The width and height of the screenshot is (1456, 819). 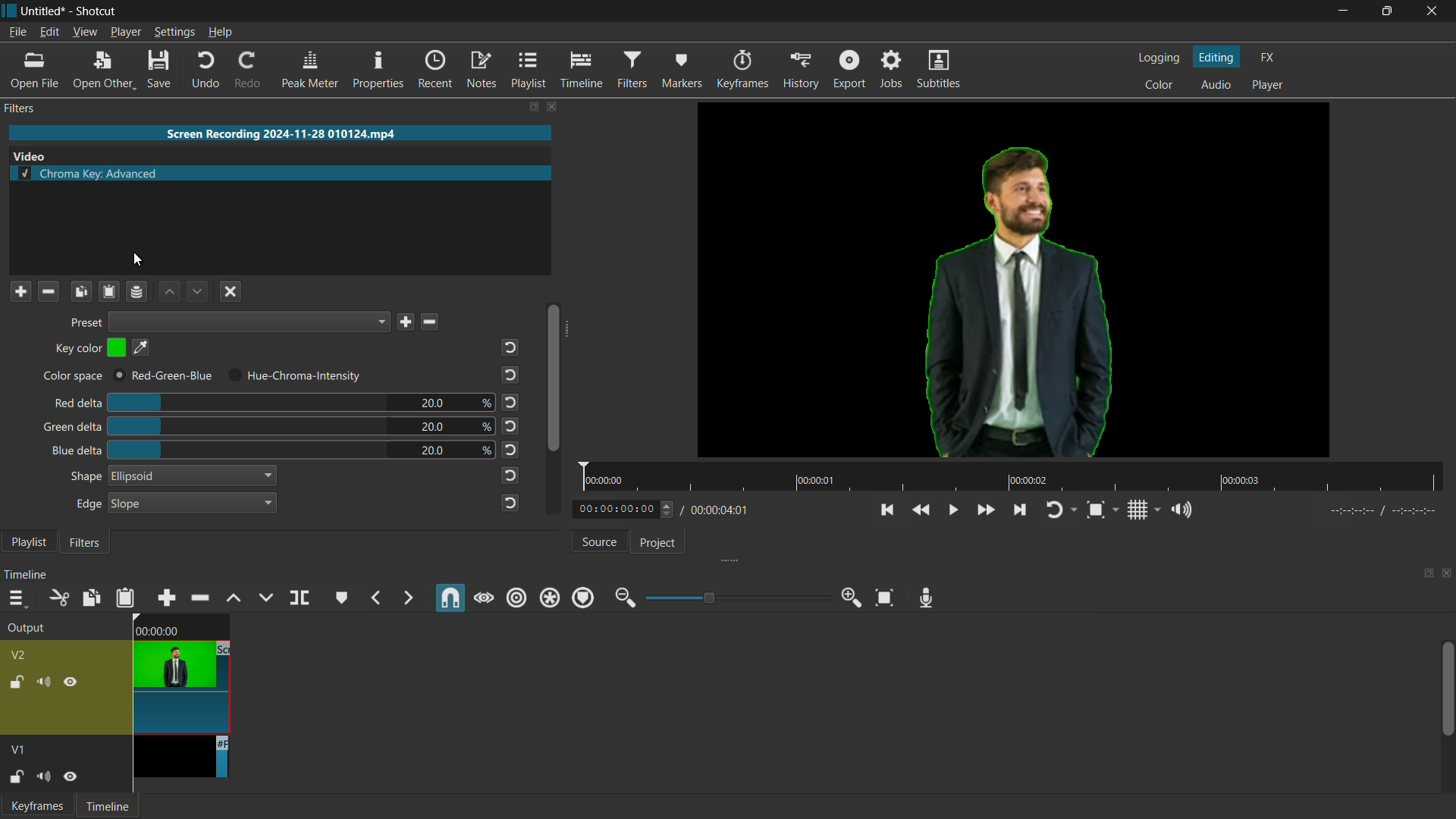 I want to click on Color space, so click(x=72, y=376).